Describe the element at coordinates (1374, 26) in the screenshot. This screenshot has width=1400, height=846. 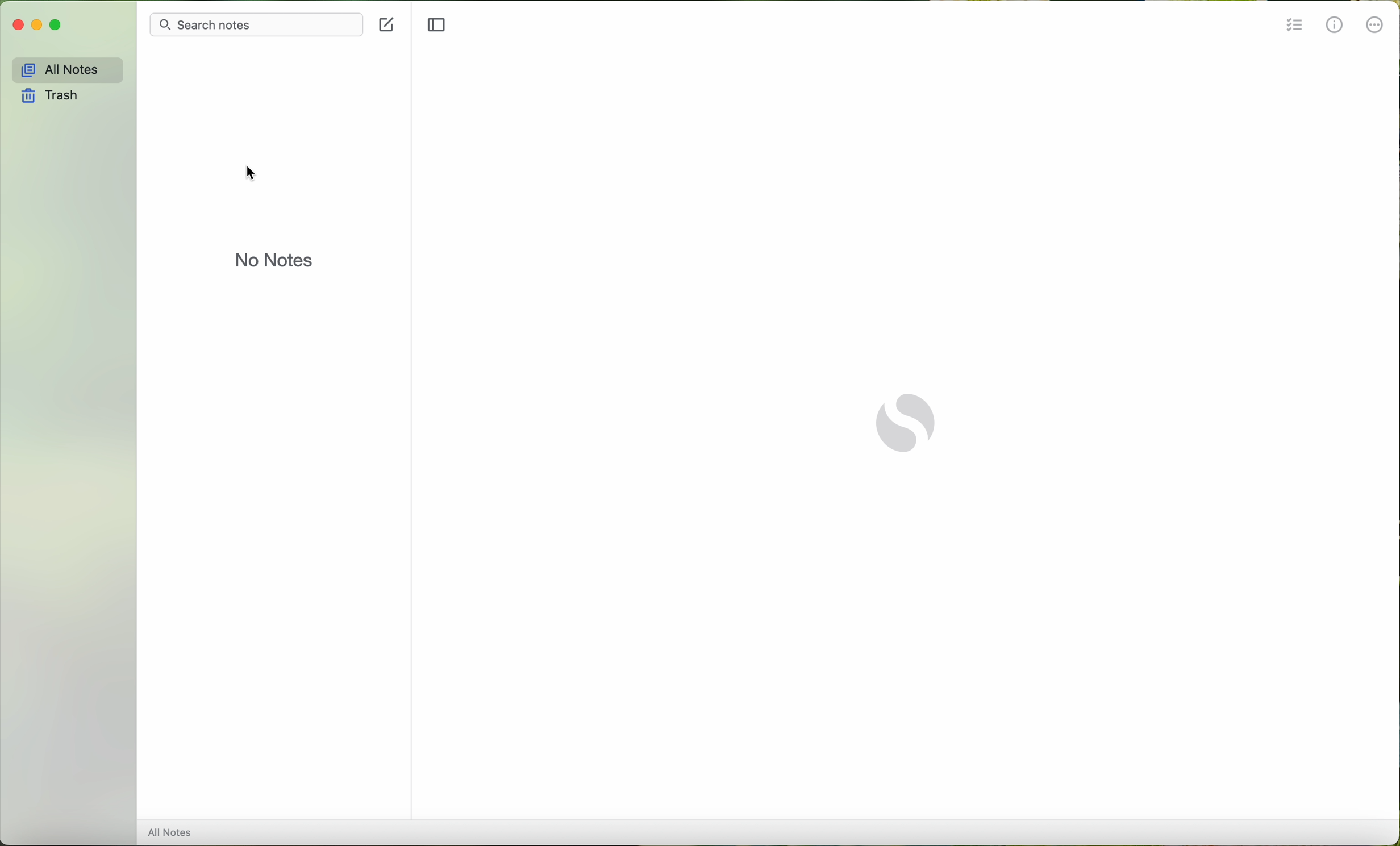
I see `more options` at that location.